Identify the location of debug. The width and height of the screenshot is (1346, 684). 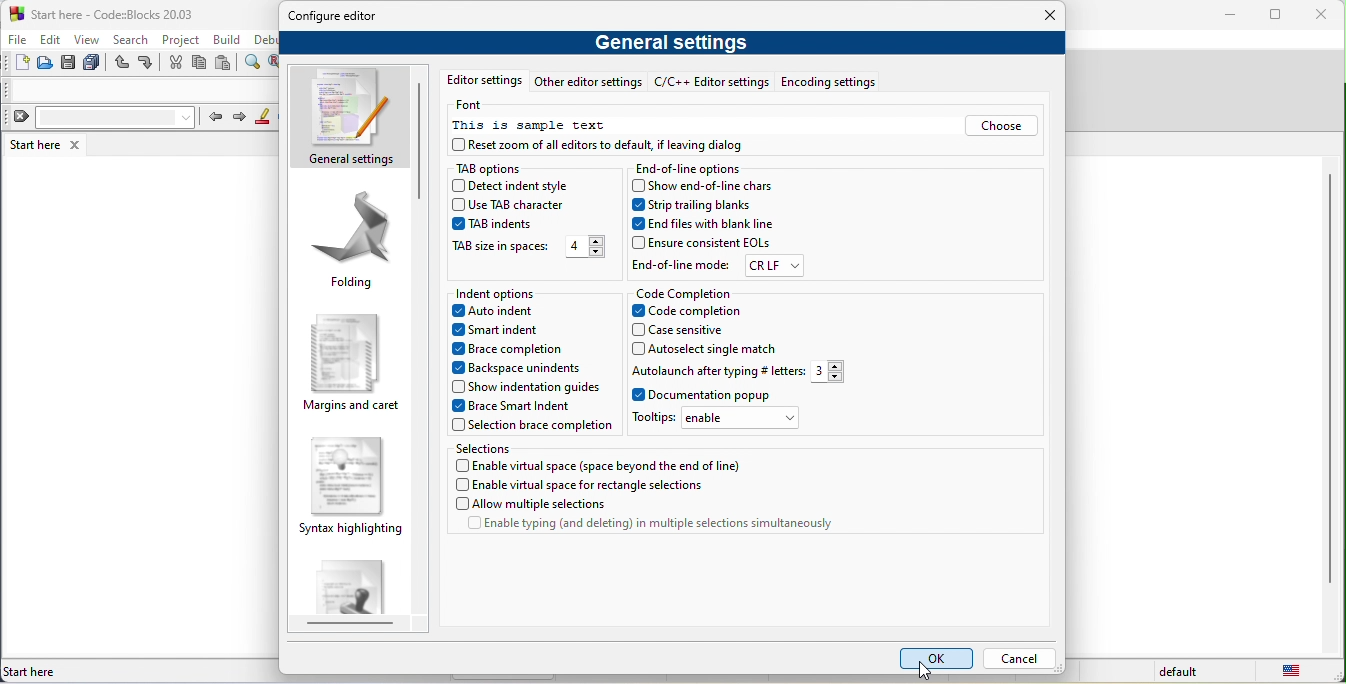
(266, 40).